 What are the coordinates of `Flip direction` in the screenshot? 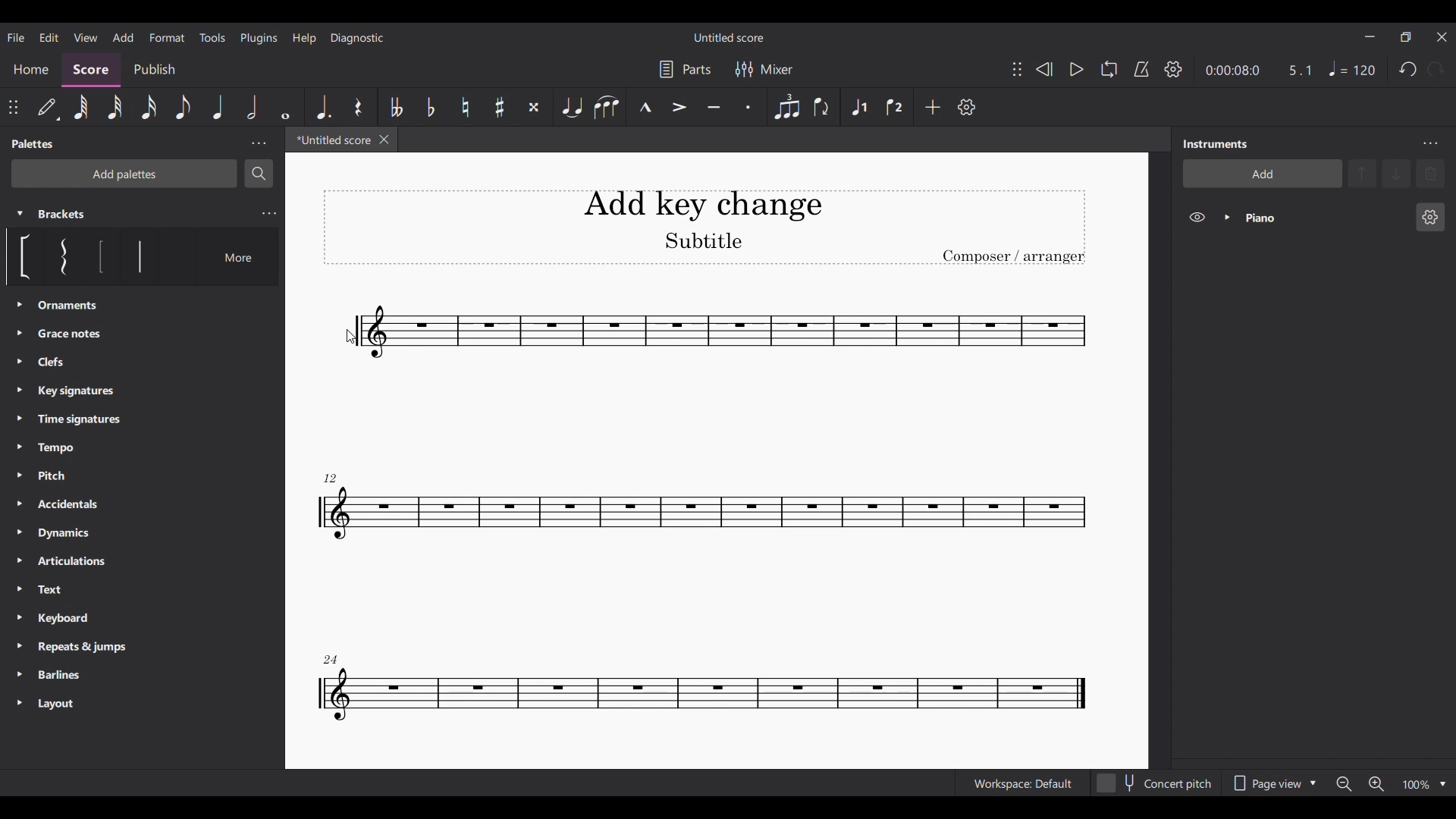 It's located at (821, 107).